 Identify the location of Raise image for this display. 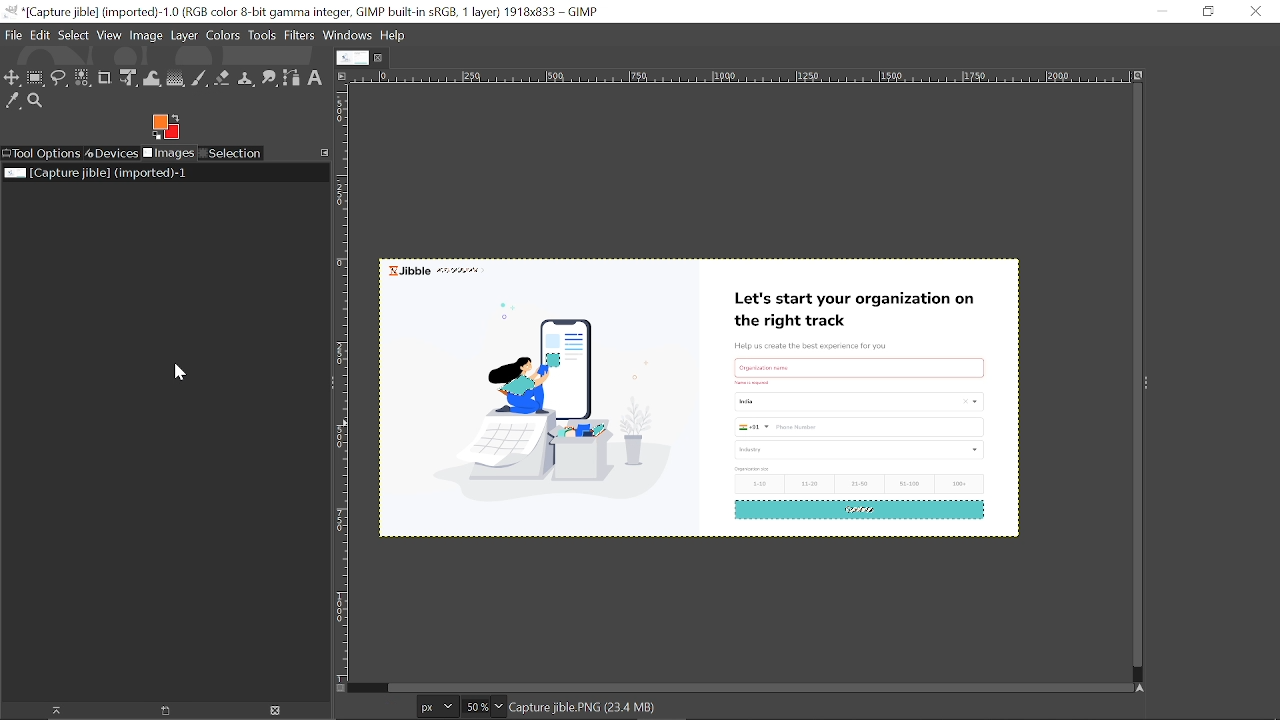
(50, 711).